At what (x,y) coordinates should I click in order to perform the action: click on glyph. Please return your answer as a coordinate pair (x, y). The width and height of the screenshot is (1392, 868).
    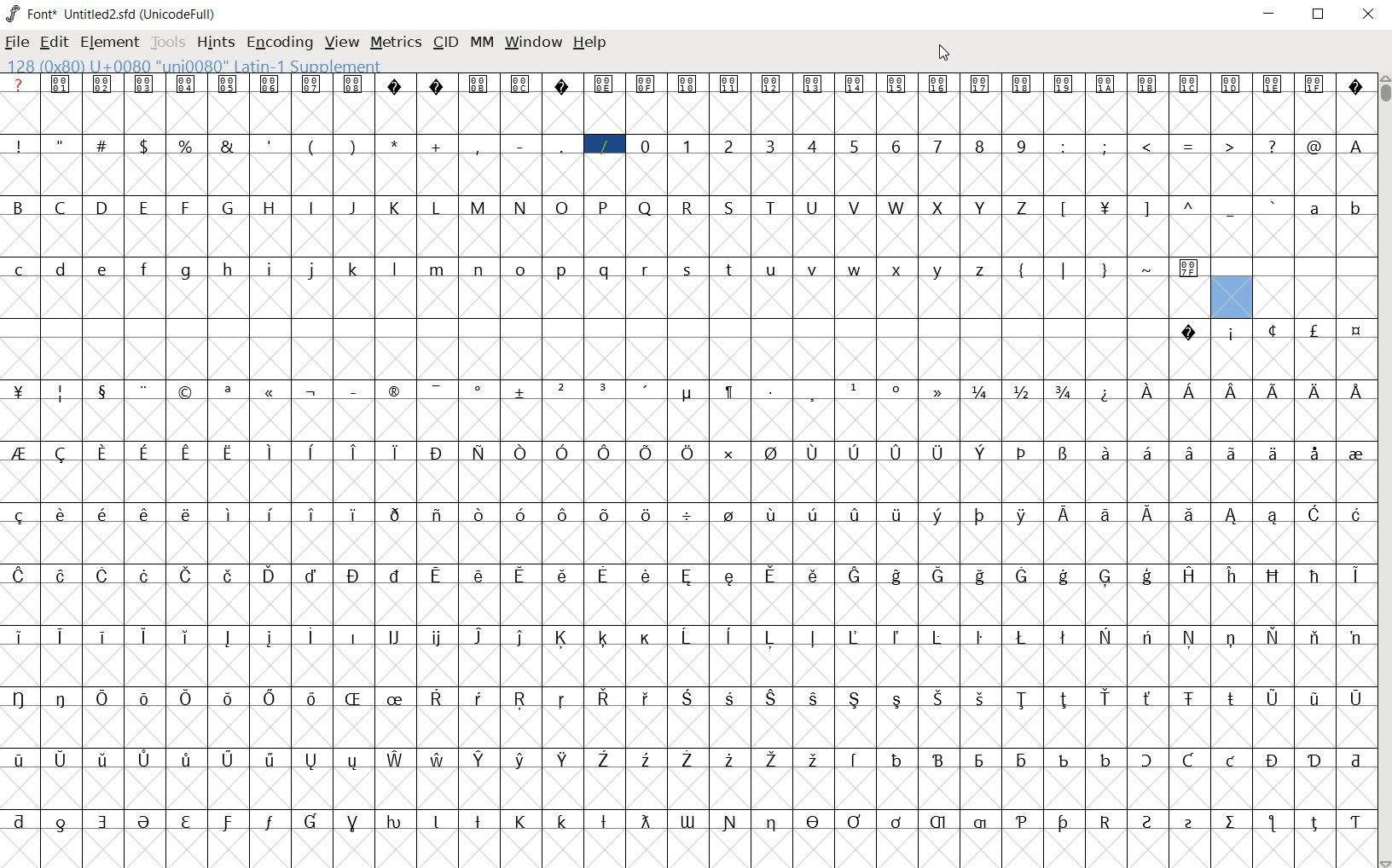
    Looking at the image, I should click on (646, 452).